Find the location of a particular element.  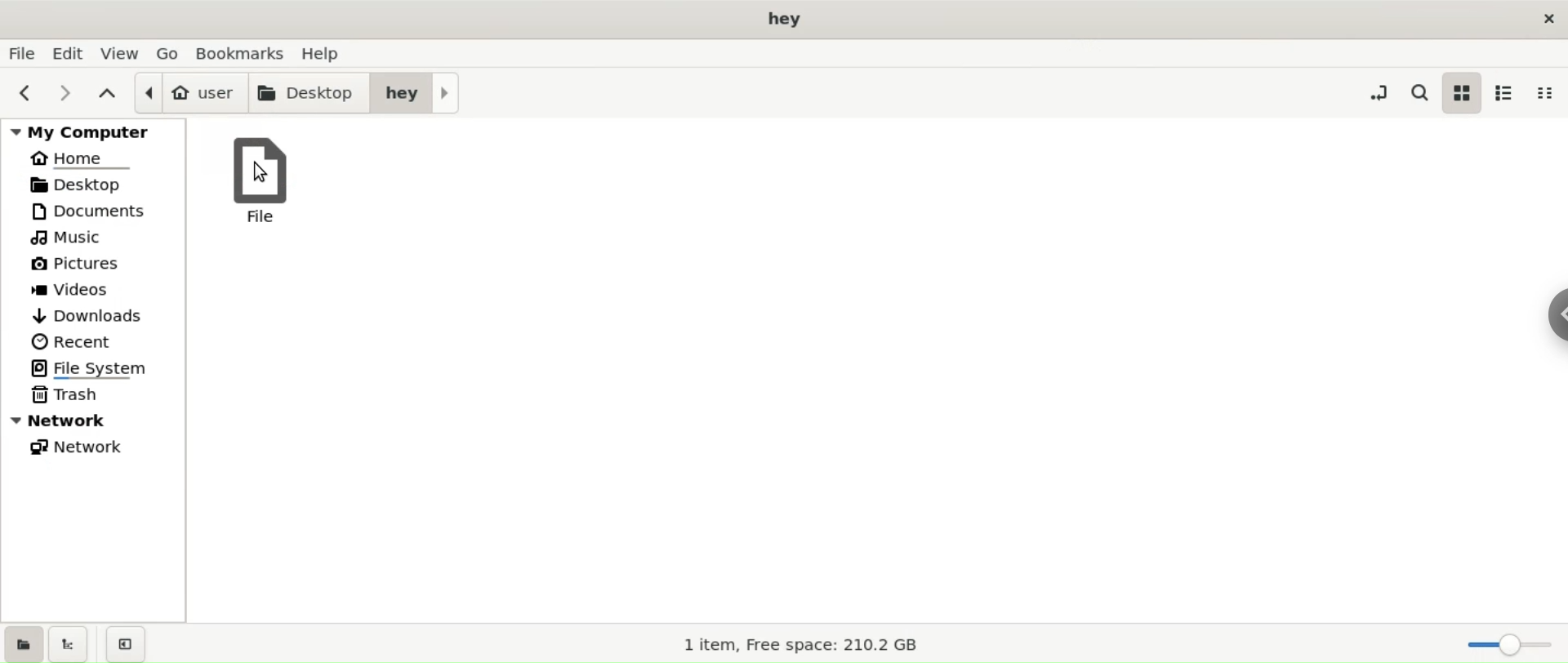

1 item, Free space: 210.2 GB is located at coordinates (790, 643).